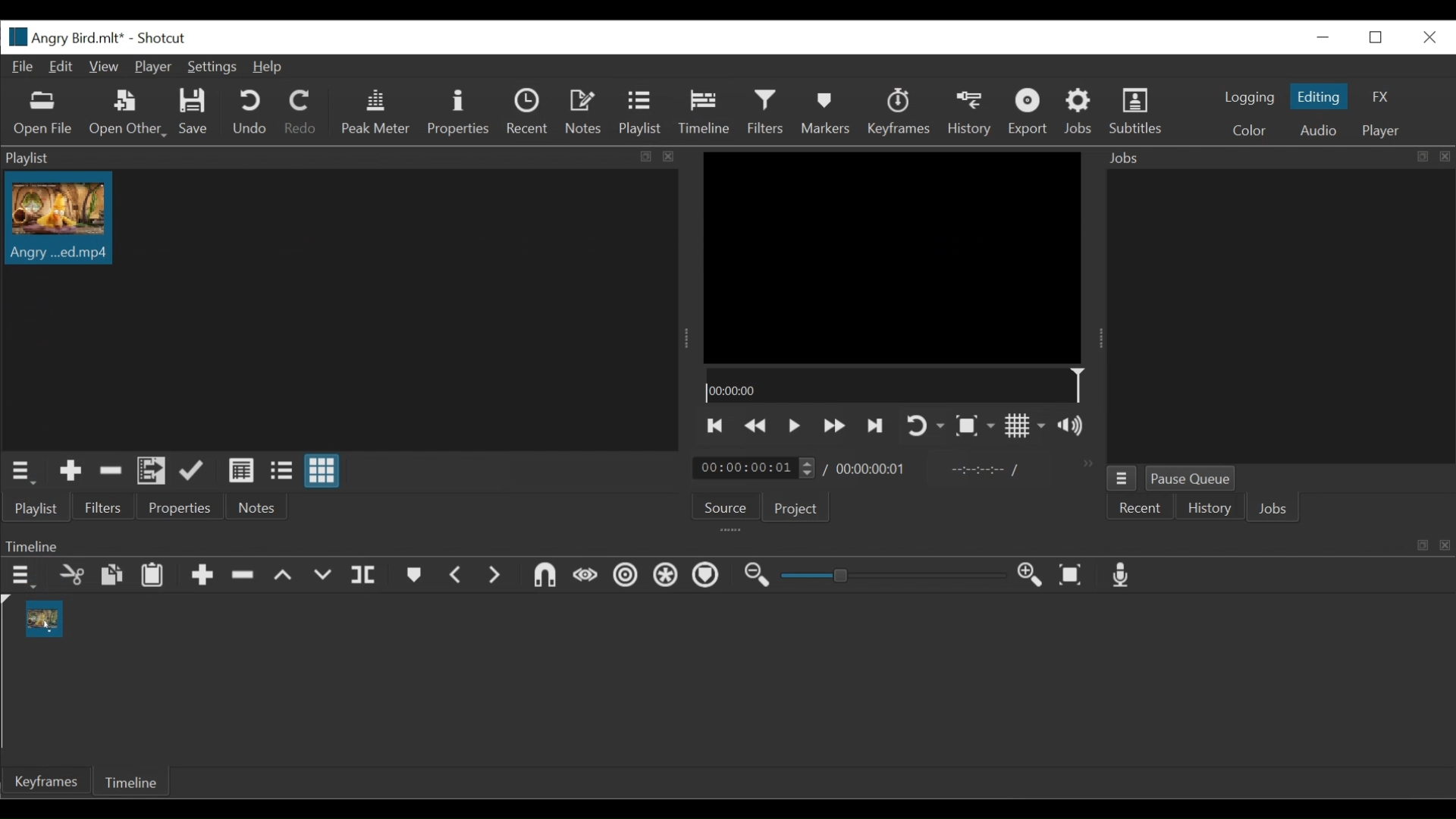 Image resolution: width=1456 pixels, height=819 pixels. Describe the element at coordinates (767, 111) in the screenshot. I see `Filters` at that location.